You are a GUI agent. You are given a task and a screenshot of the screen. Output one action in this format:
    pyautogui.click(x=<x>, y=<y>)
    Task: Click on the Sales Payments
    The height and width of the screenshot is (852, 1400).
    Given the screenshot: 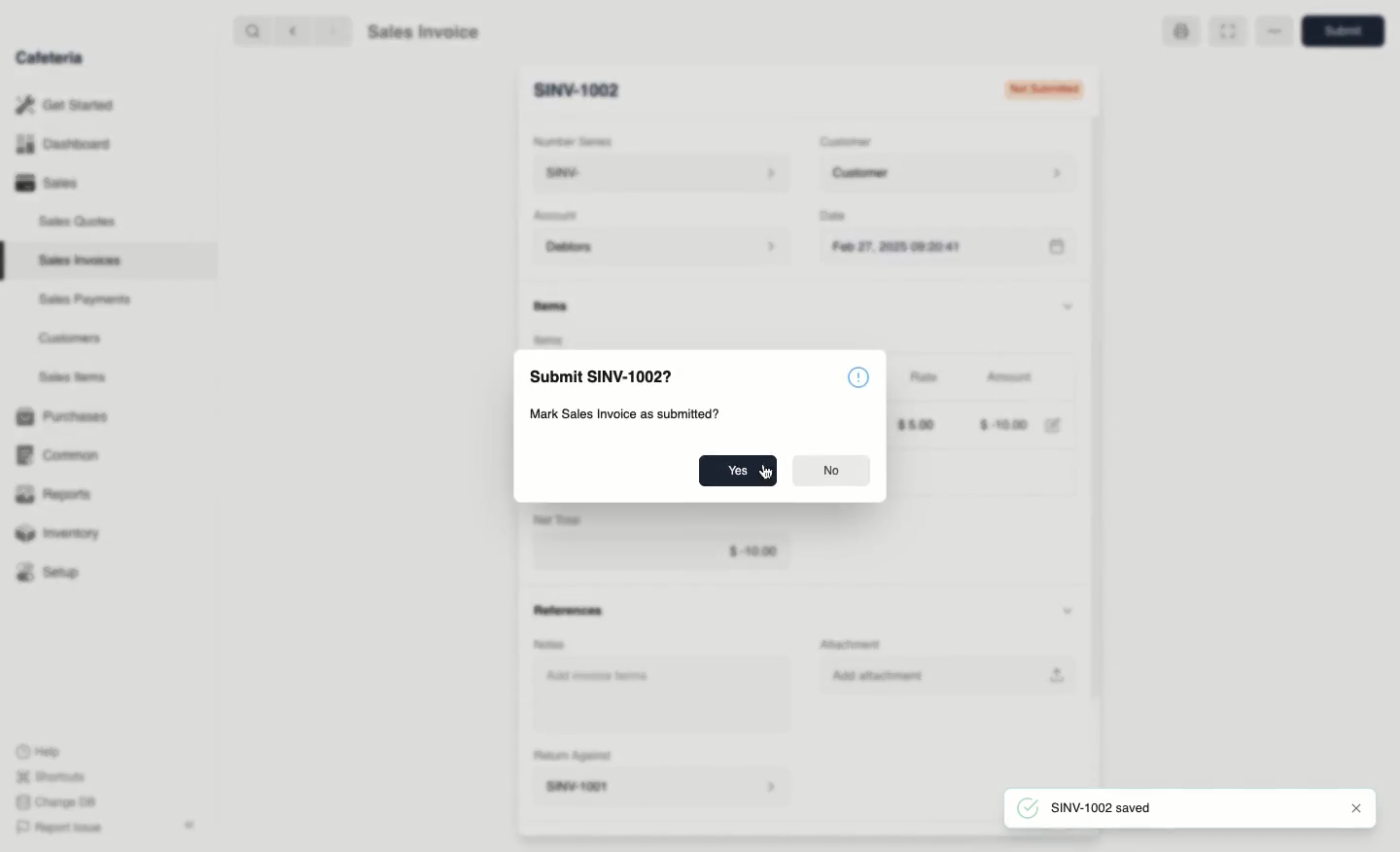 What is the action you would take?
    pyautogui.click(x=86, y=301)
    